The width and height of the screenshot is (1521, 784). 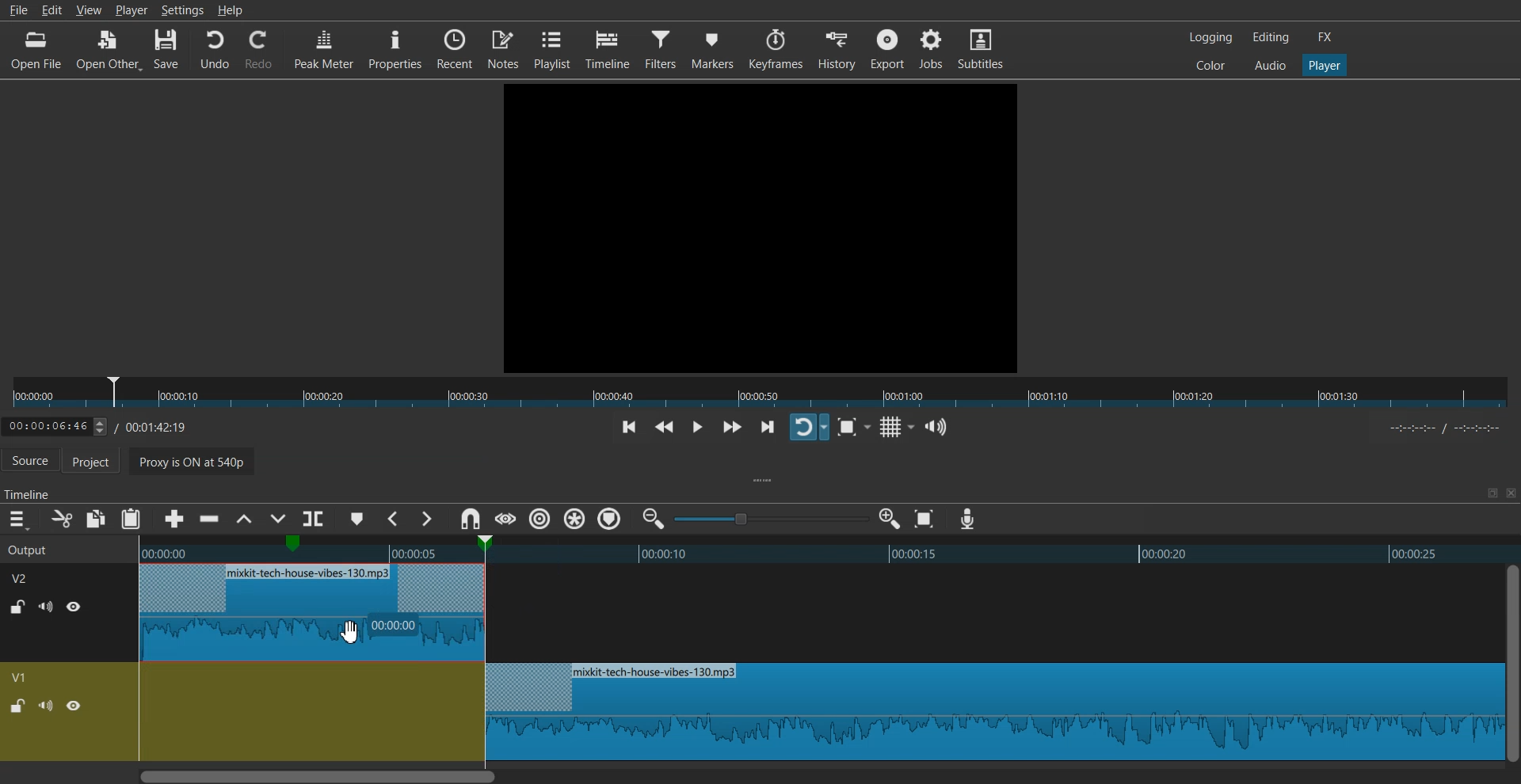 What do you see at coordinates (324, 48) in the screenshot?
I see `Peak Meter` at bounding box center [324, 48].